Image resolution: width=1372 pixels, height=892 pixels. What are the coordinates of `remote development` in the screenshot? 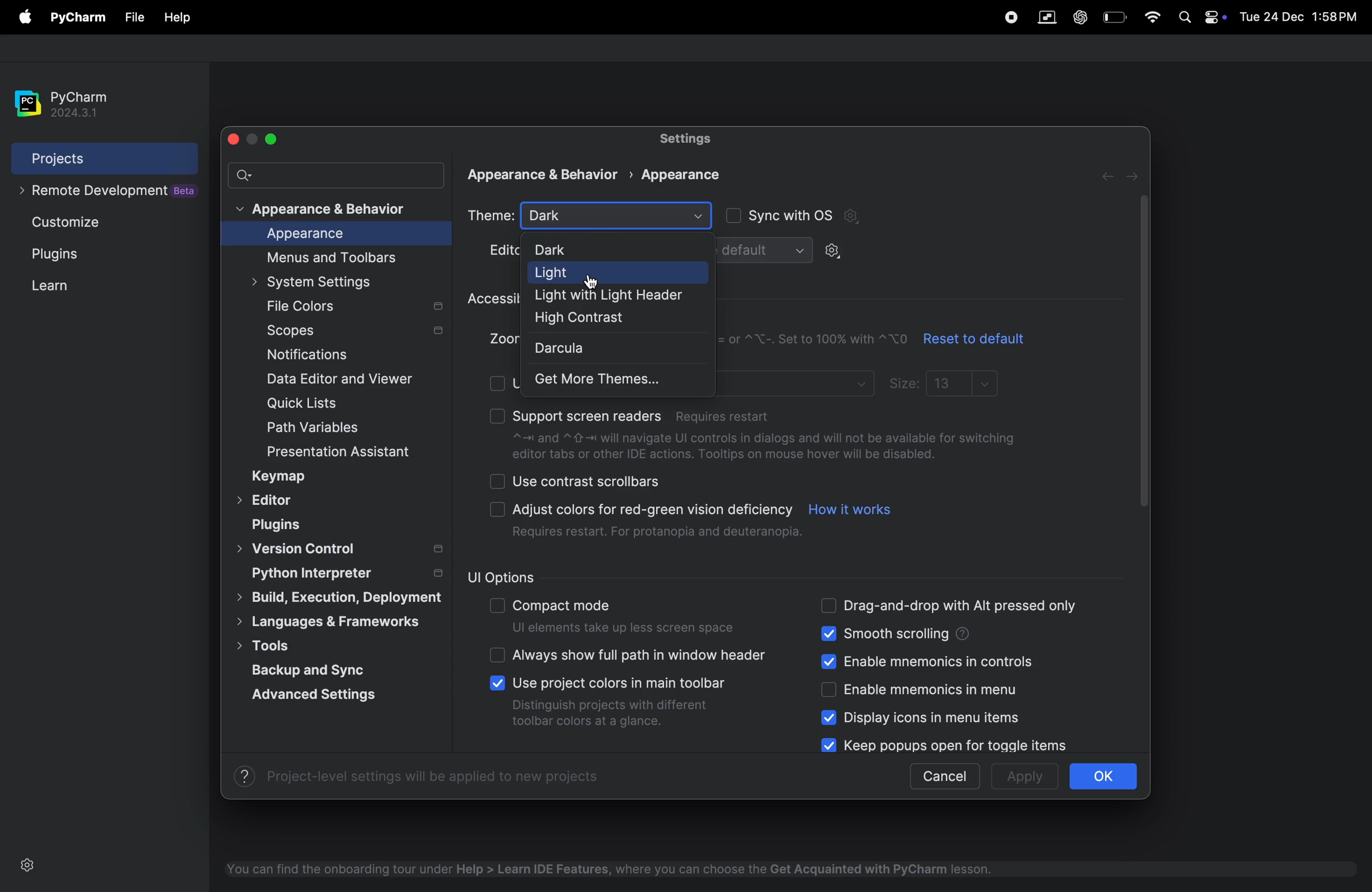 It's located at (104, 195).